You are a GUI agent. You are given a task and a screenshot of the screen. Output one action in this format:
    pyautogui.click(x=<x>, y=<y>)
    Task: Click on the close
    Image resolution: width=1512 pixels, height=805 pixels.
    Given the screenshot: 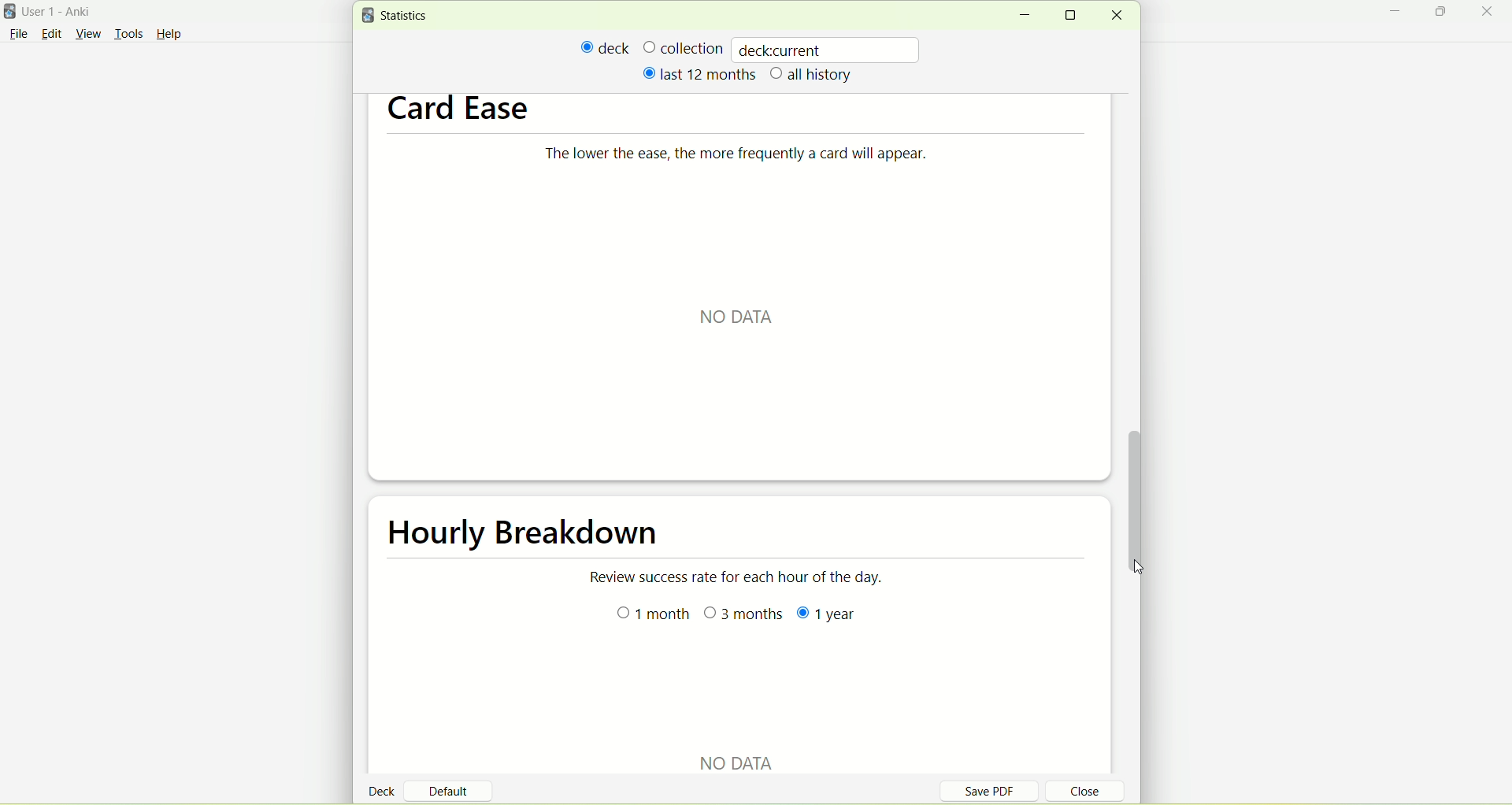 What is the action you would take?
    pyautogui.click(x=1076, y=793)
    